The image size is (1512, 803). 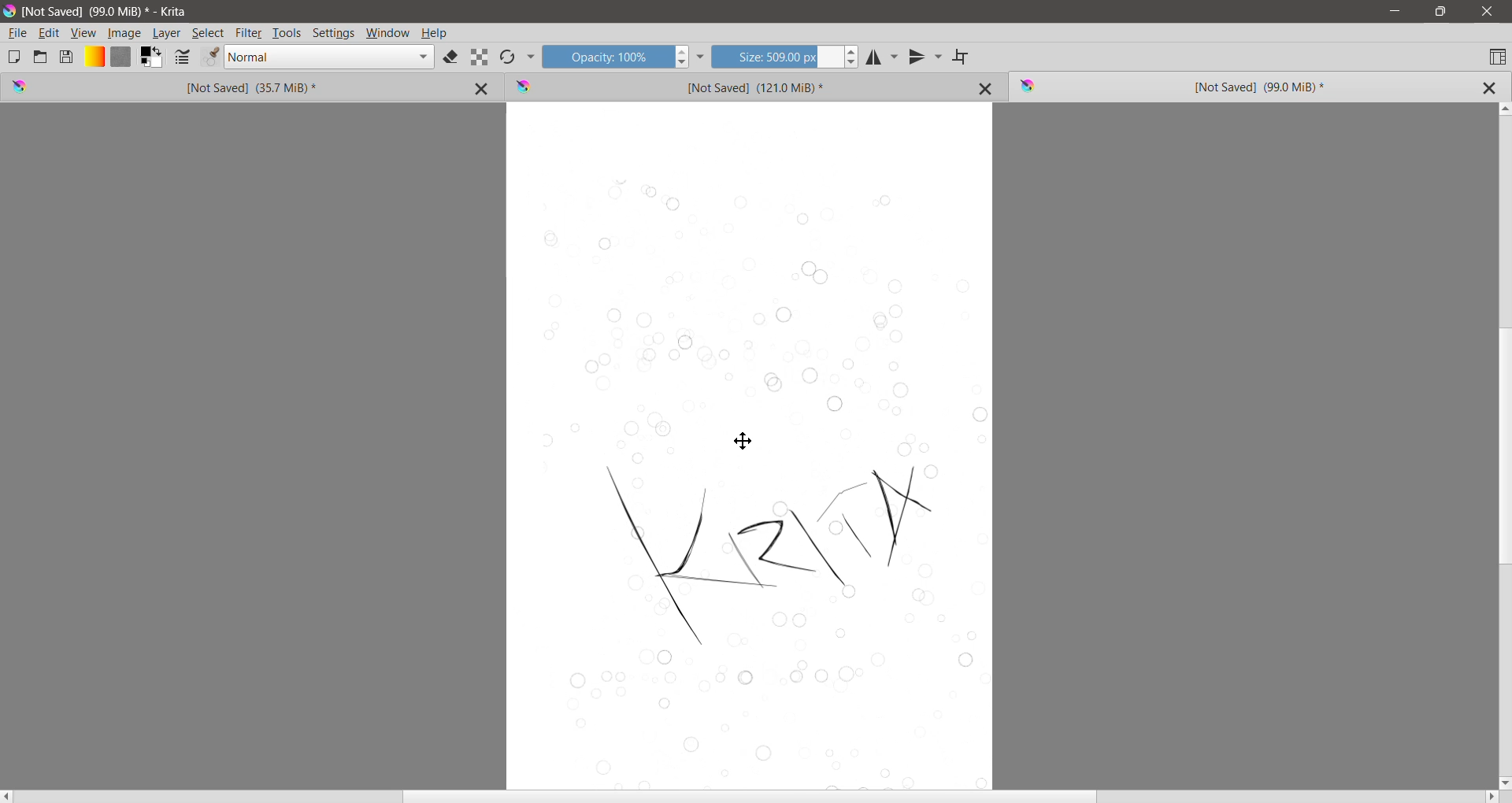 I want to click on Wrap Around Mode, so click(x=962, y=57).